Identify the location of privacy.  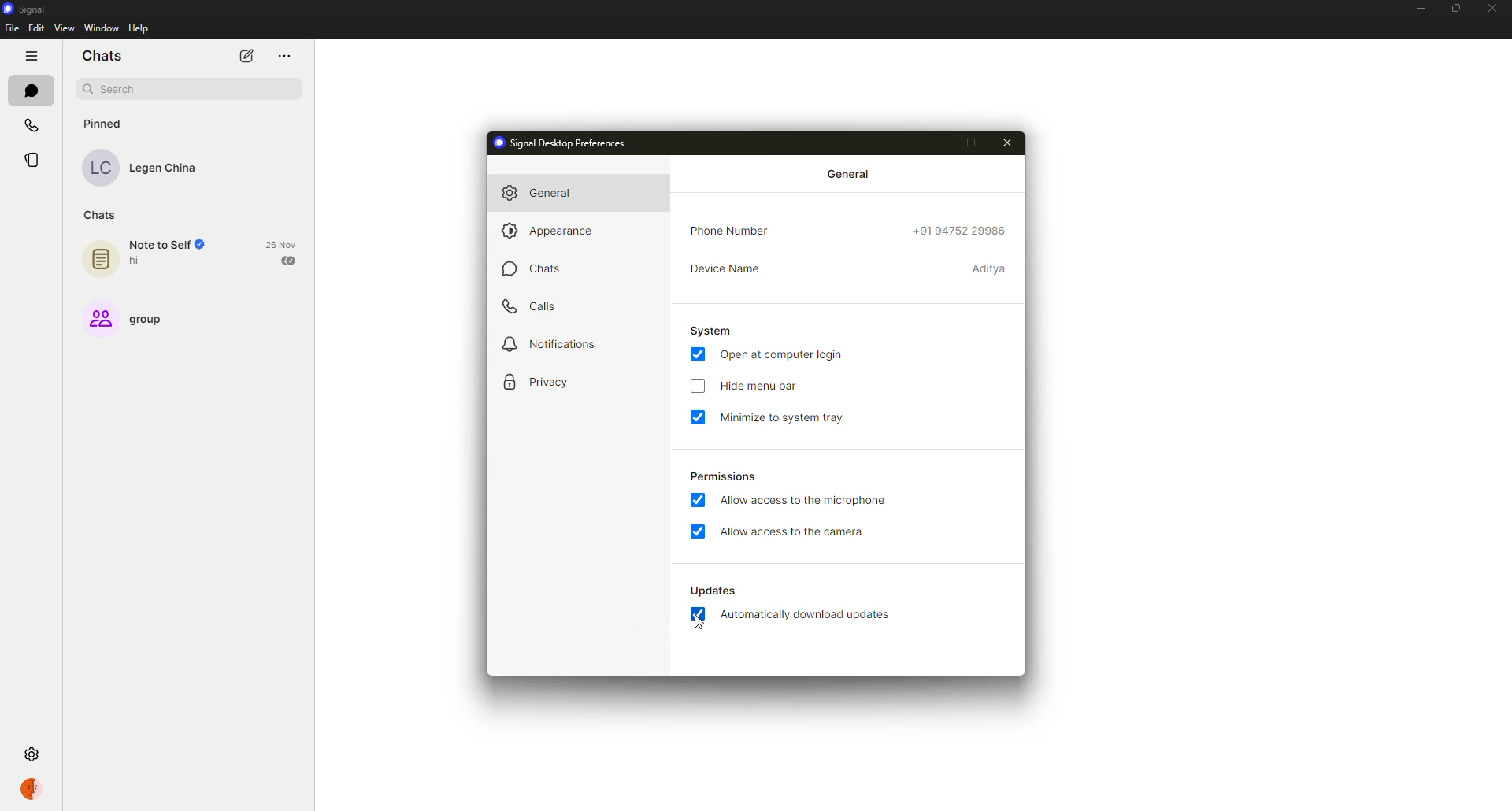
(536, 380).